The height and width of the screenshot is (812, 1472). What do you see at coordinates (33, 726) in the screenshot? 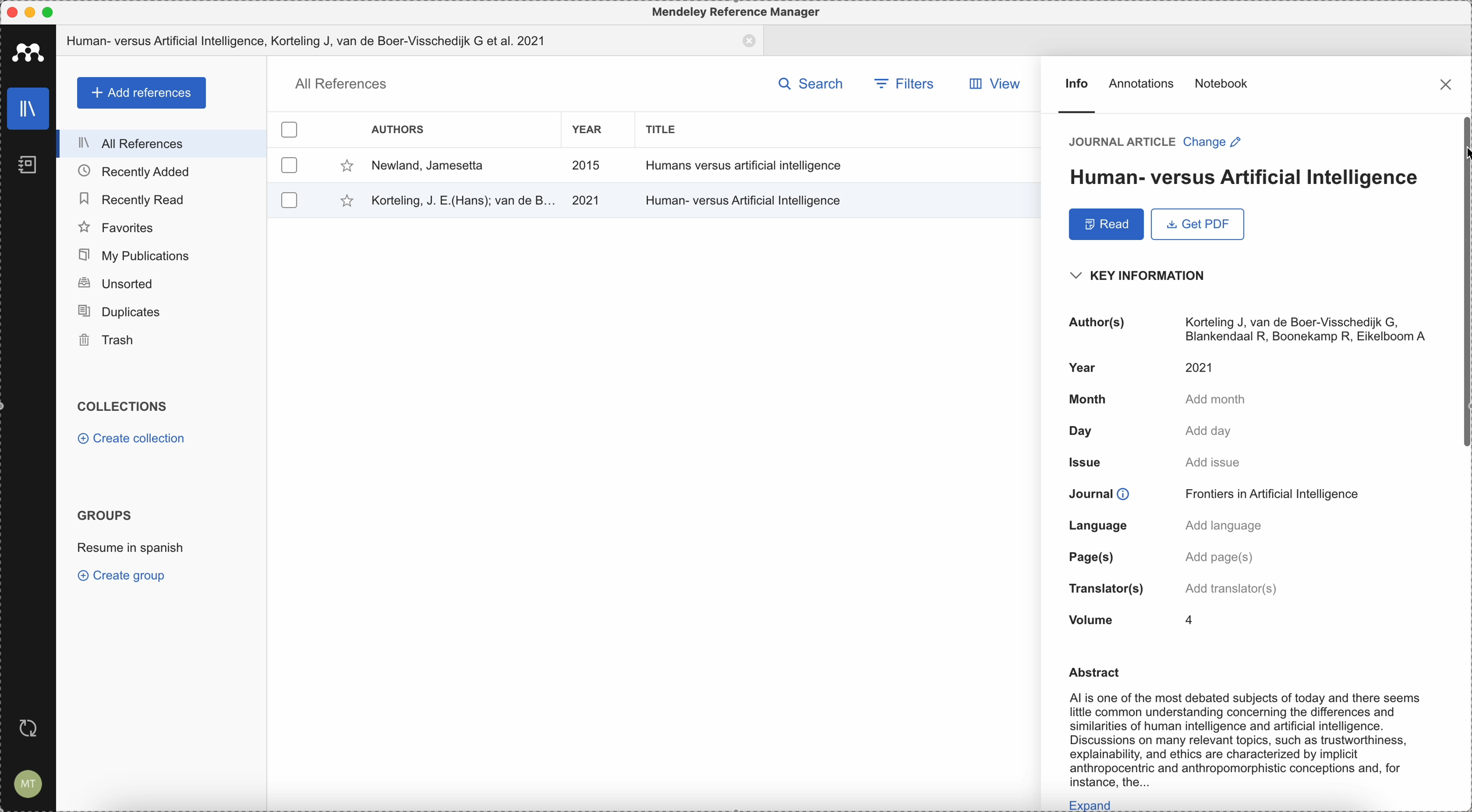
I see `last sync` at bounding box center [33, 726].